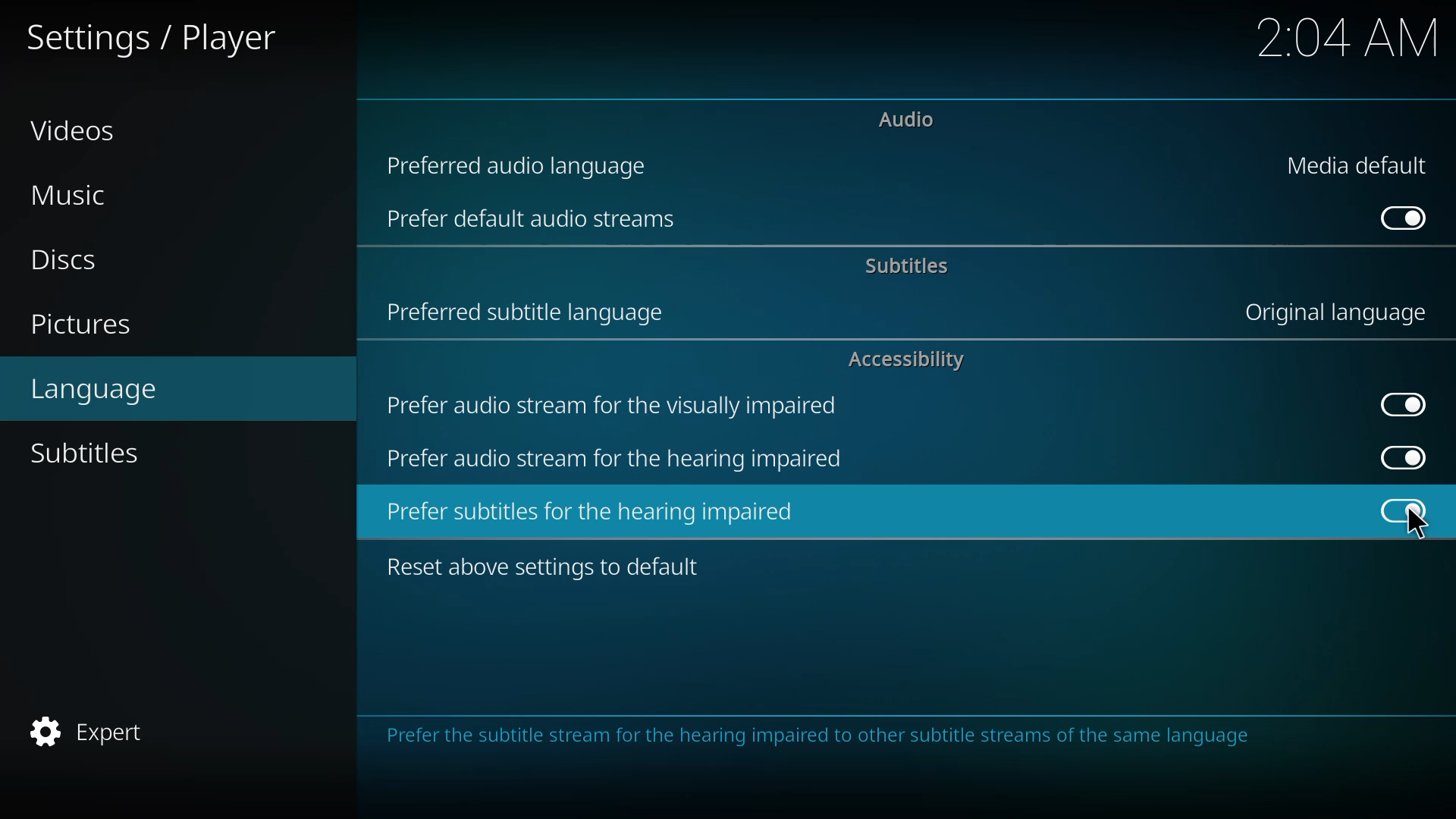 The width and height of the screenshot is (1456, 819). I want to click on original language, so click(1330, 312).